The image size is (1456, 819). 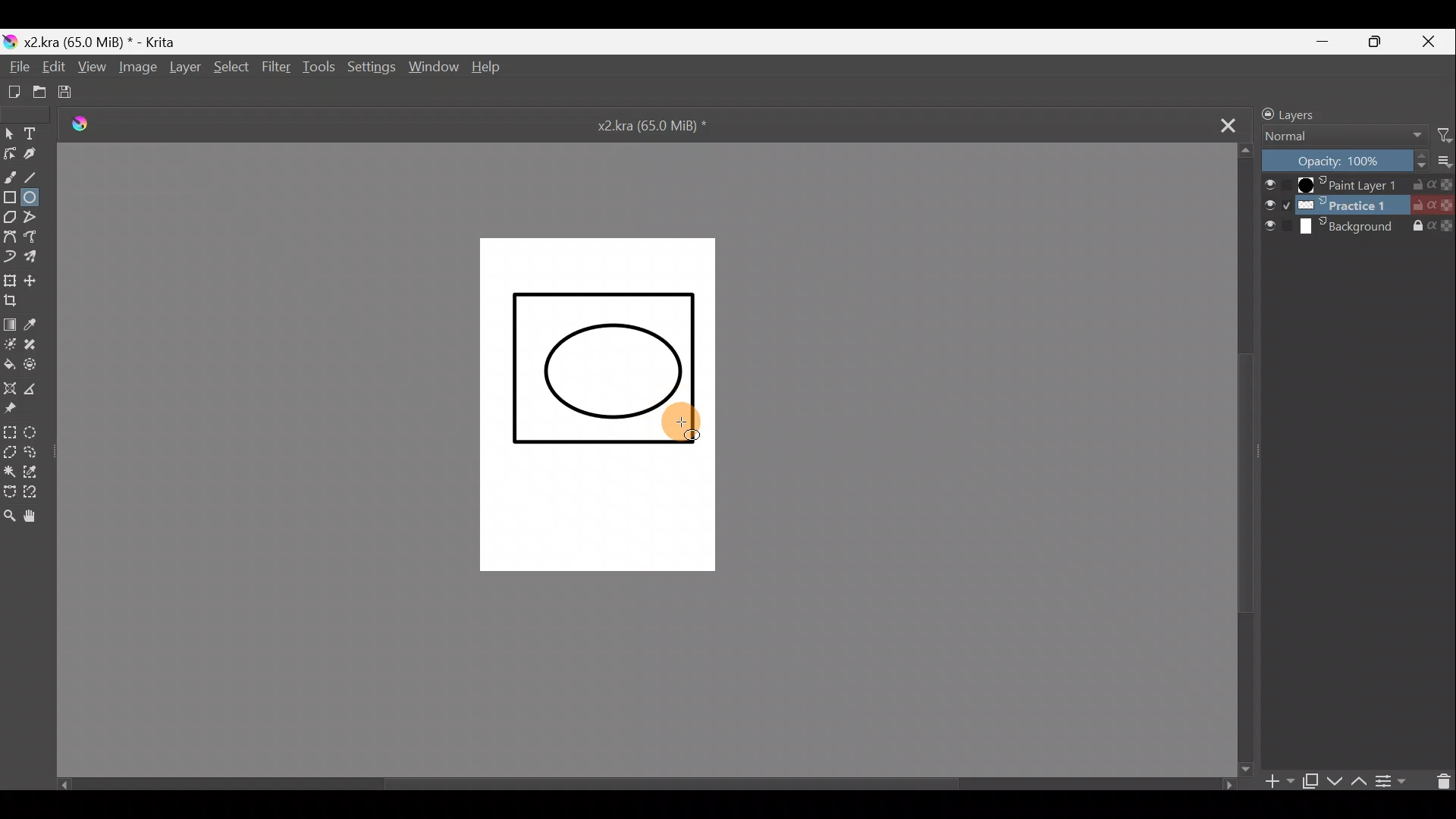 I want to click on Bezier curve selection tool, so click(x=9, y=491).